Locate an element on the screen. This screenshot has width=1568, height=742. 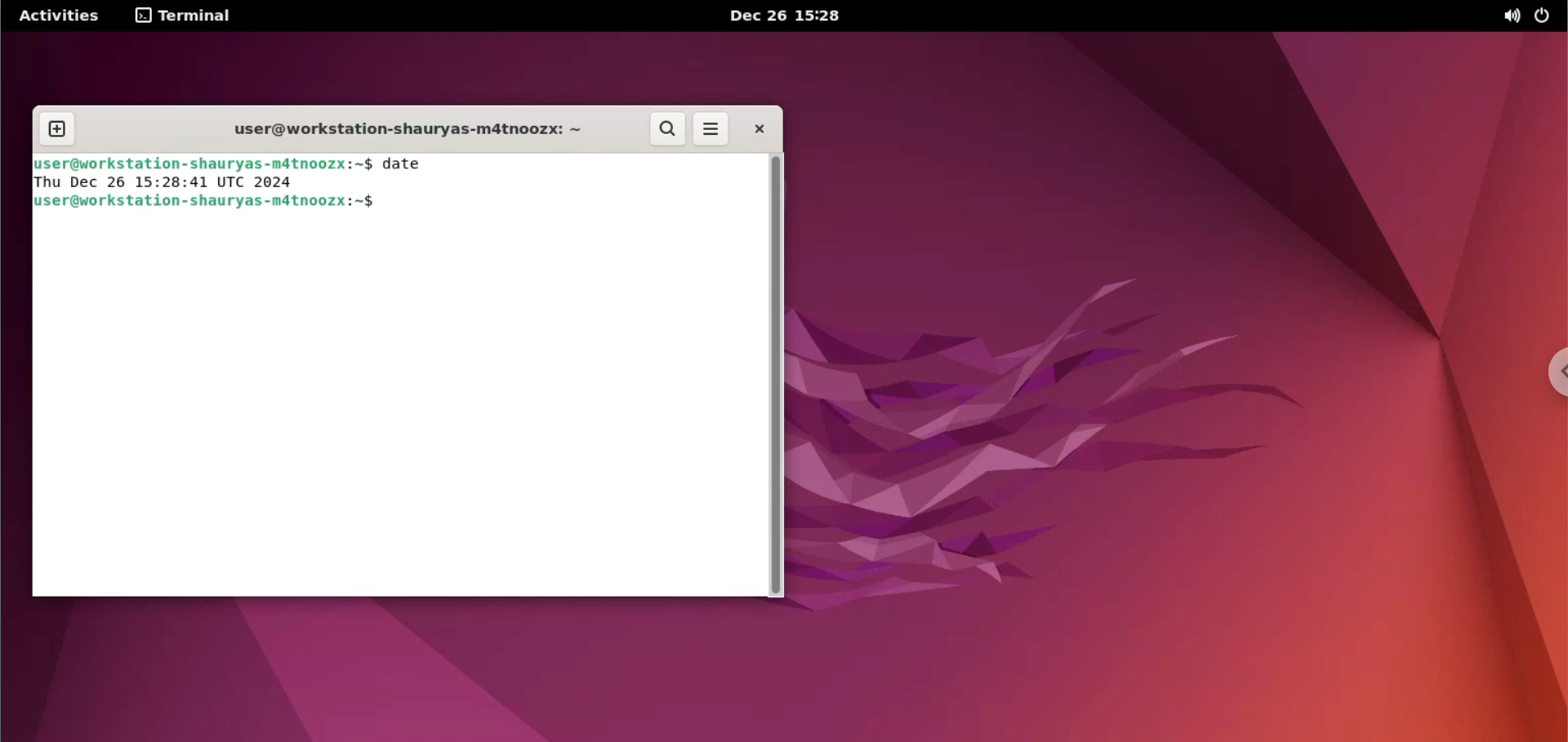
search is located at coordinates (667, 129).